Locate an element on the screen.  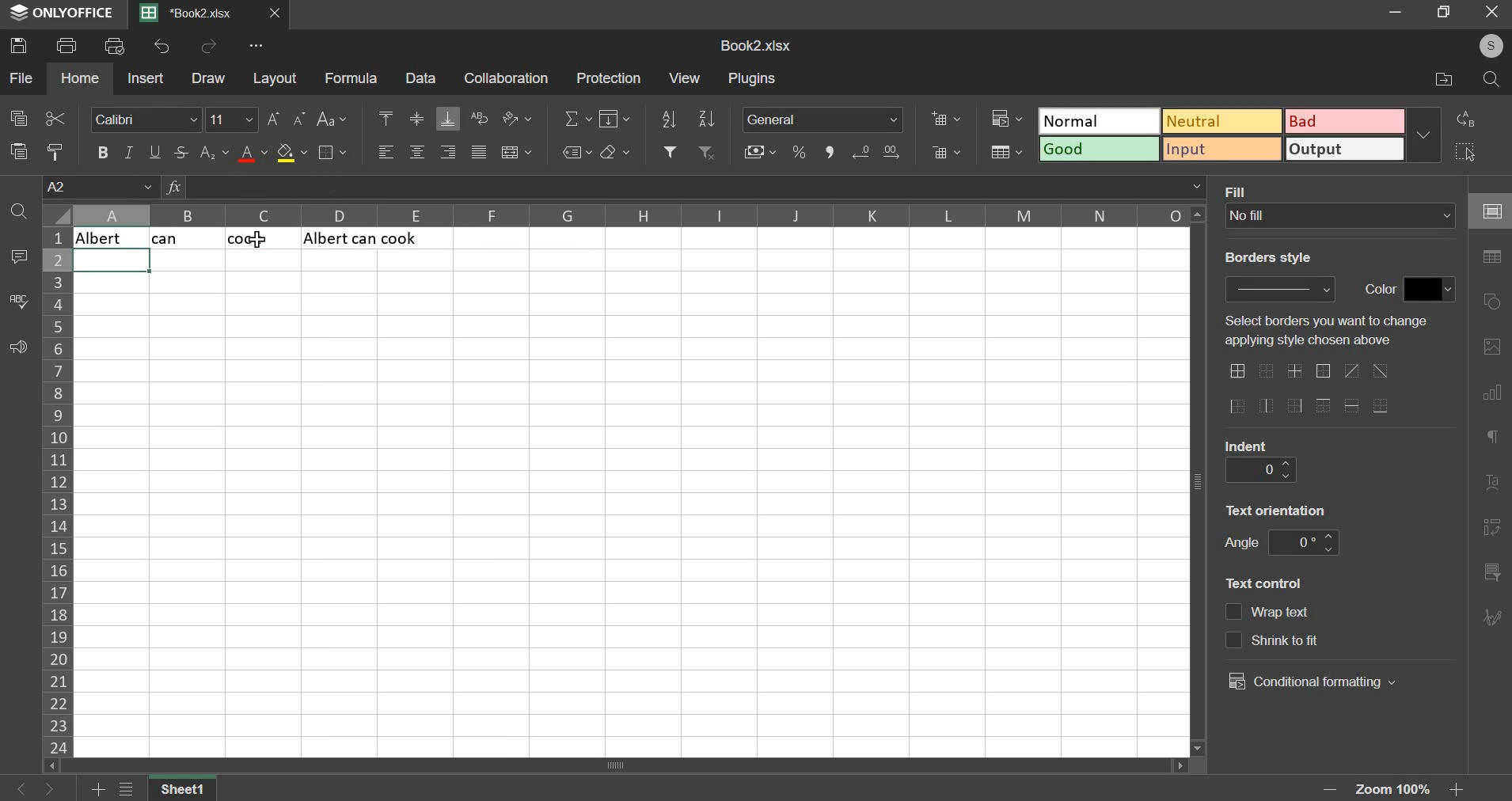
text is located at coordinates (1241, 191).